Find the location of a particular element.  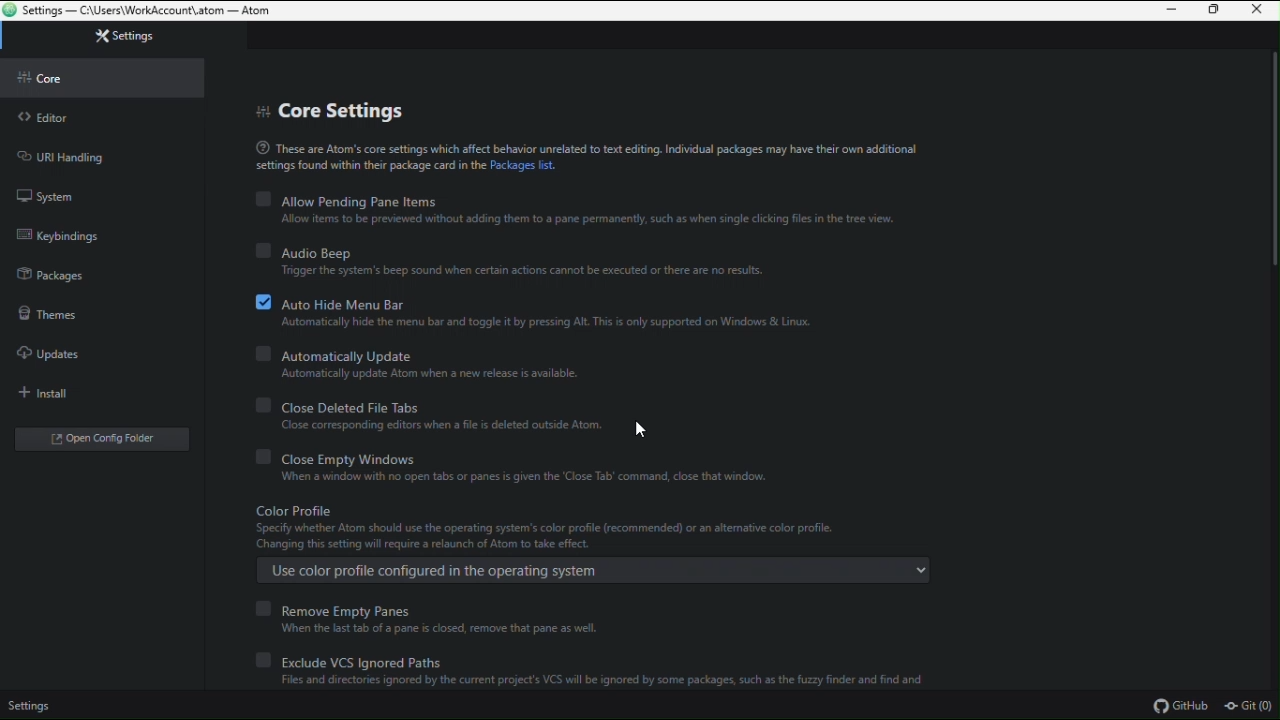

Exclude VCS Ignored Paths is located at coordinates (565, 661).